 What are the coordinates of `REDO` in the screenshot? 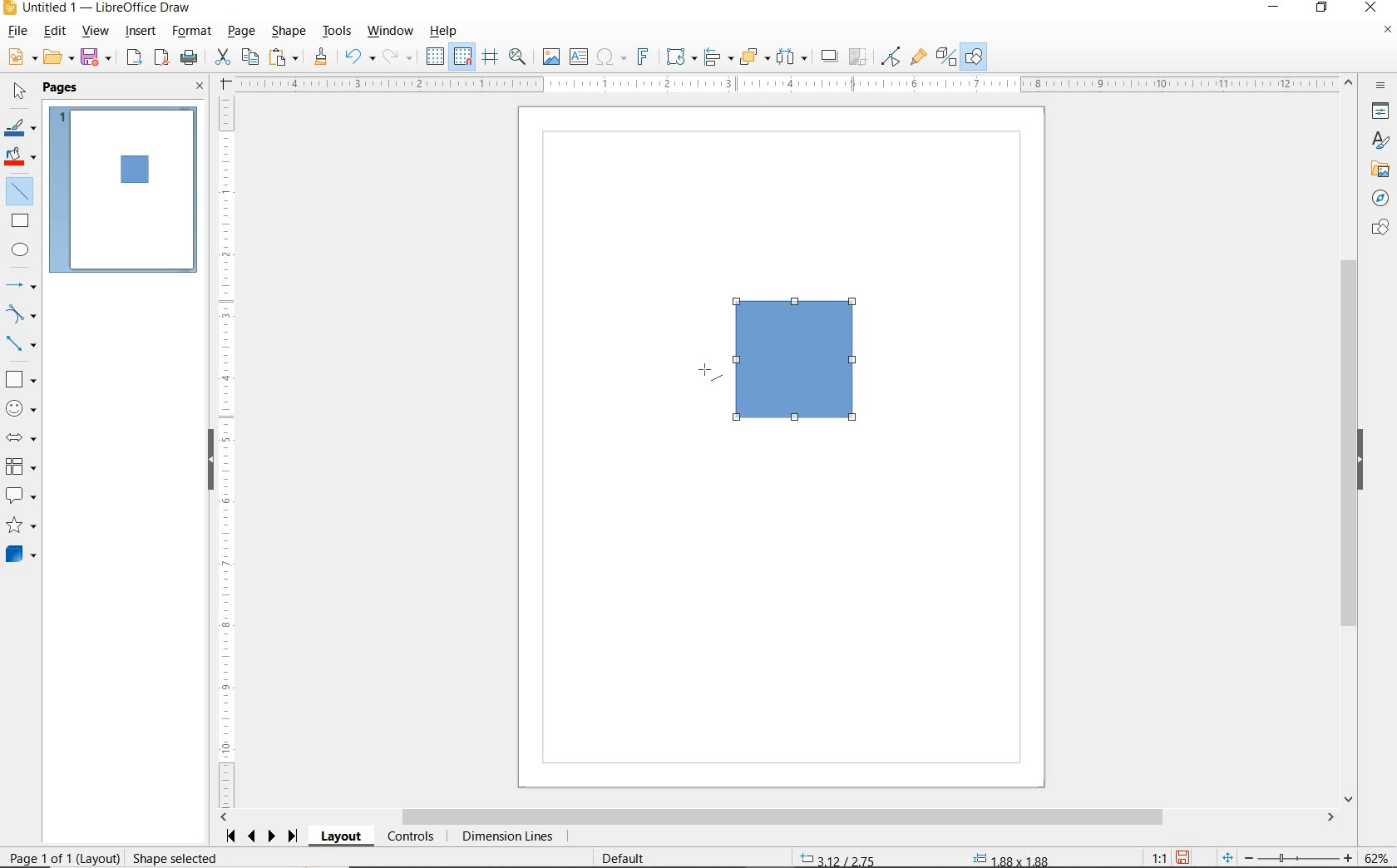 It's located at (402, 57).